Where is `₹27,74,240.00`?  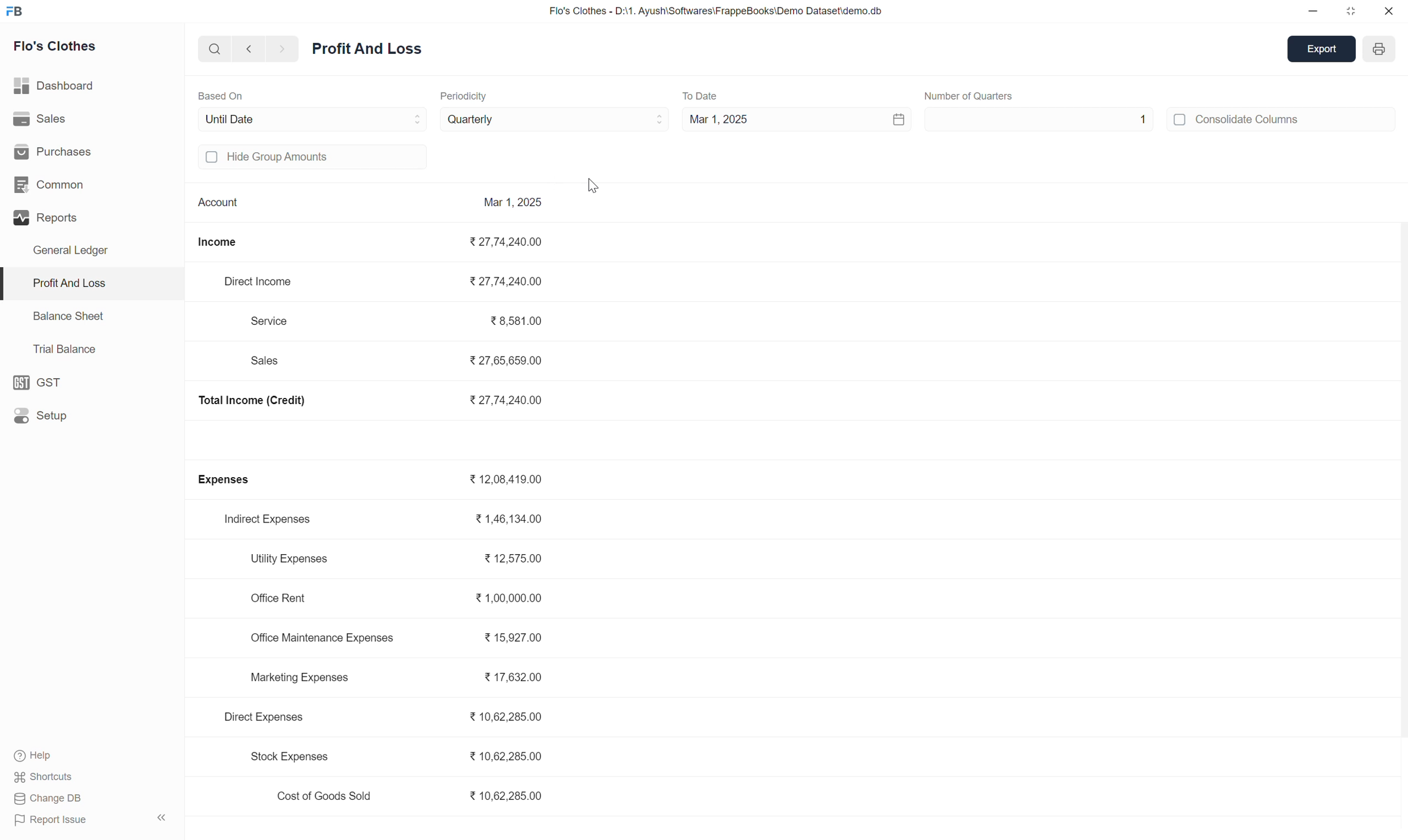 ₹27,74,240.00 is located at coordinates (511, 242).